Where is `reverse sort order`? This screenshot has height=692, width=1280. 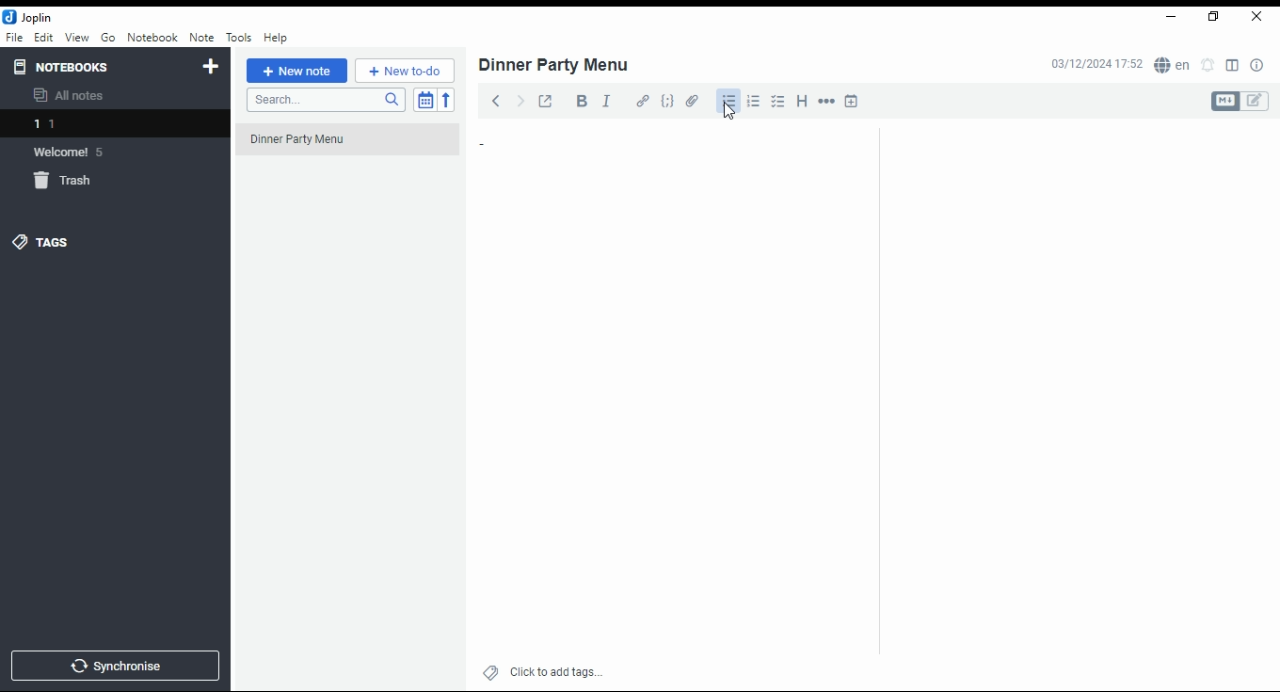
reverse sort order is located at coordinates (448, 99).